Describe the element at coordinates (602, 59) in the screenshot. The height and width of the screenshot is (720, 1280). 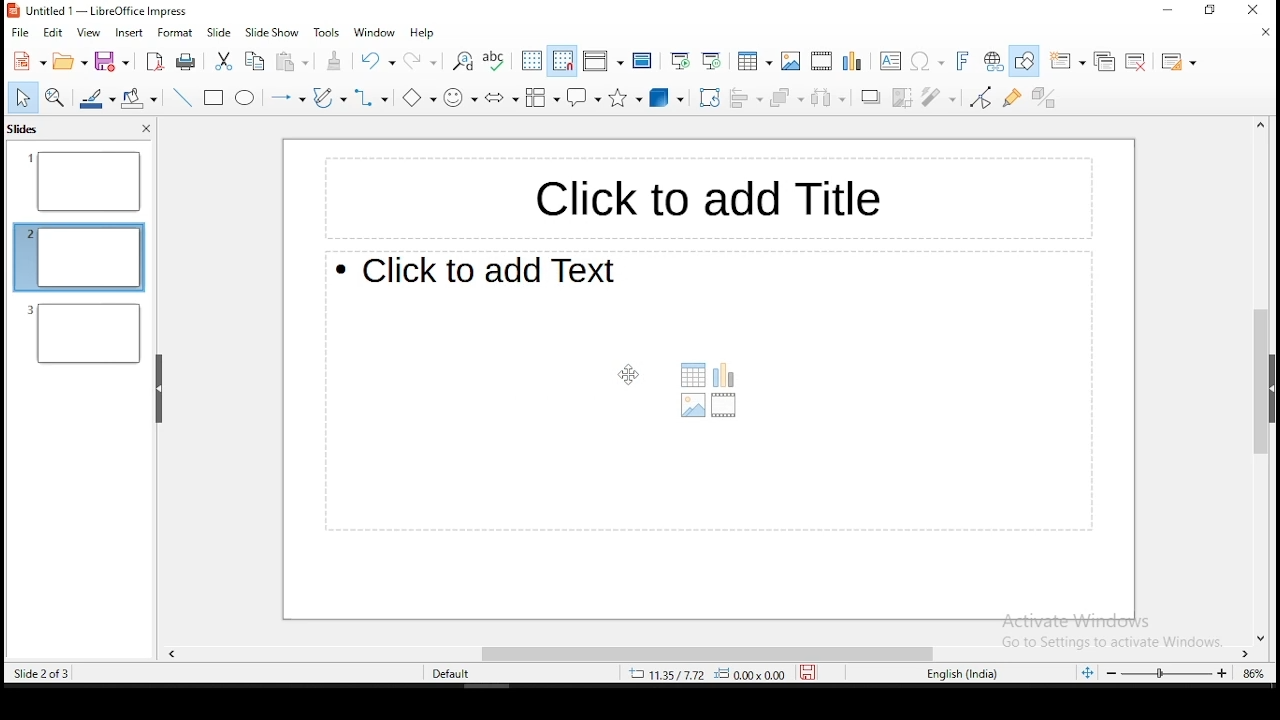
I see `display views` at that location.